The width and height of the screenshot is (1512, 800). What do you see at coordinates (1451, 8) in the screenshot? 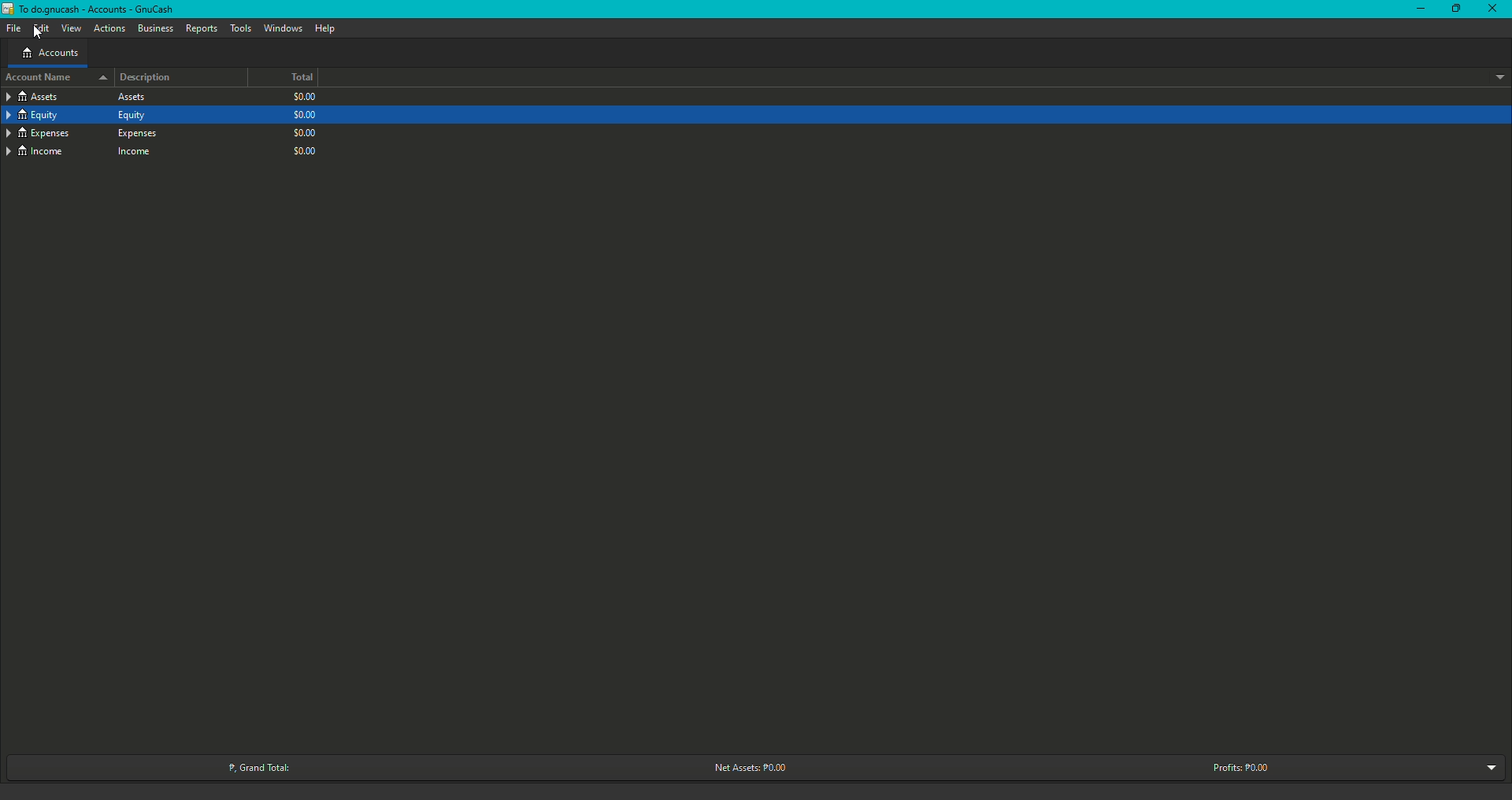
I see `Restore` at bounding box center [1451, 8].